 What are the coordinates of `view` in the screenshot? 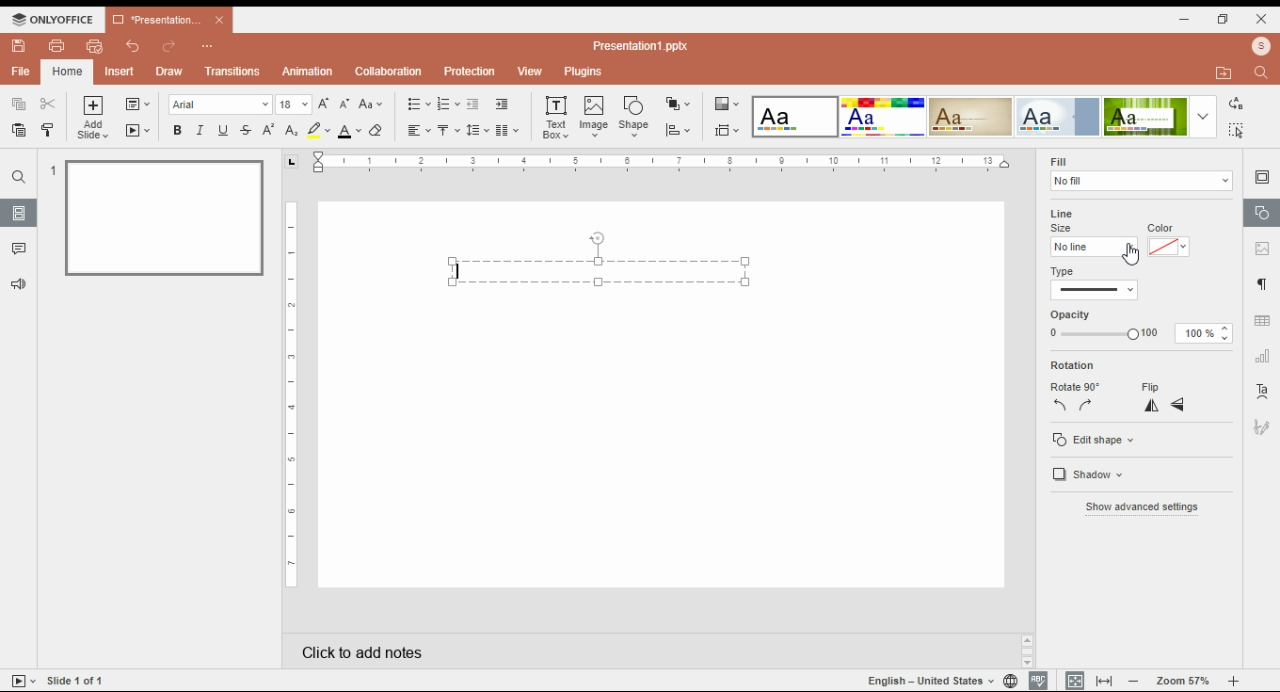 It's located at (530, 71).